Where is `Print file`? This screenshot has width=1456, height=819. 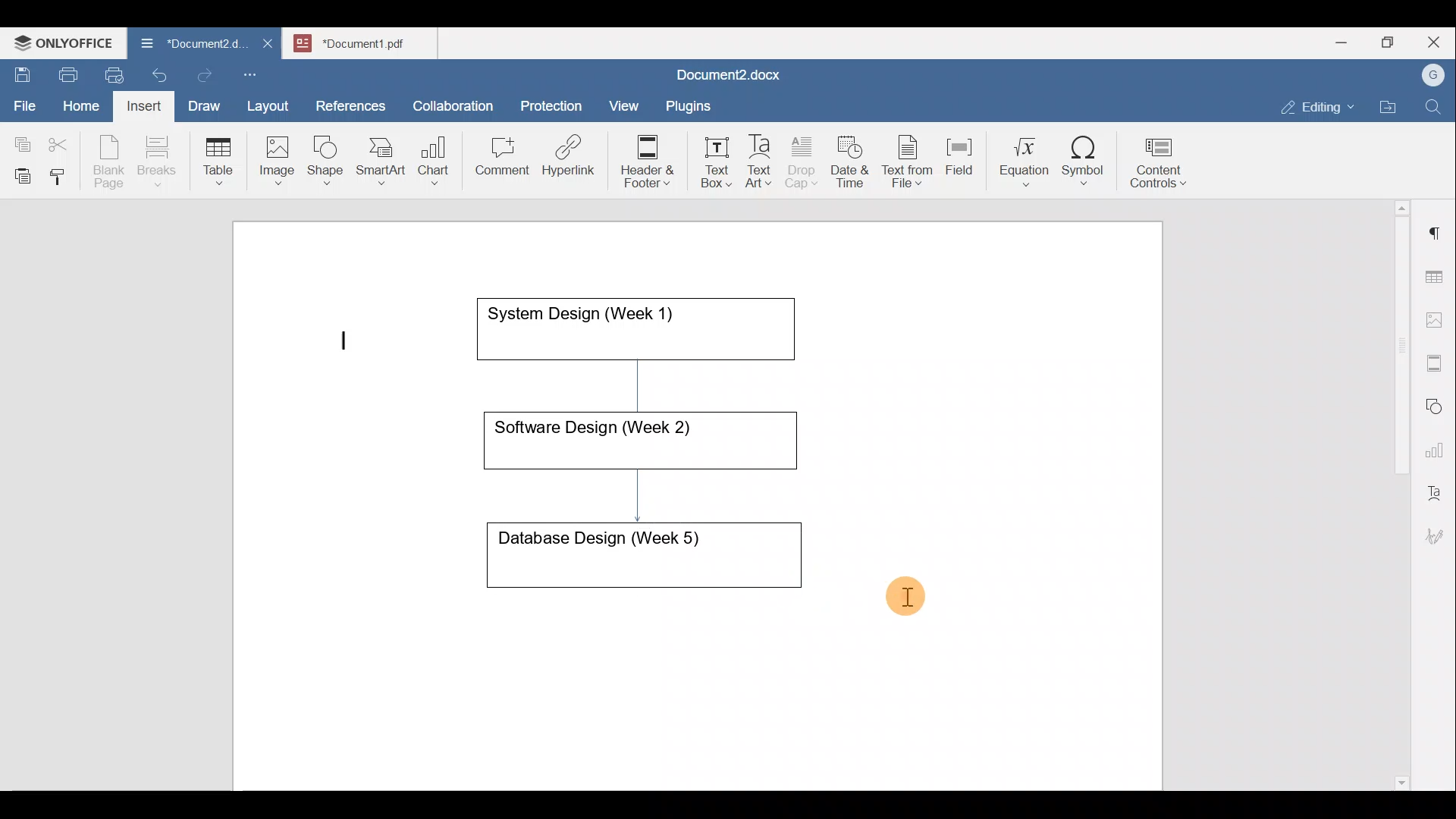
Print file is located at coordinates (65, 72).